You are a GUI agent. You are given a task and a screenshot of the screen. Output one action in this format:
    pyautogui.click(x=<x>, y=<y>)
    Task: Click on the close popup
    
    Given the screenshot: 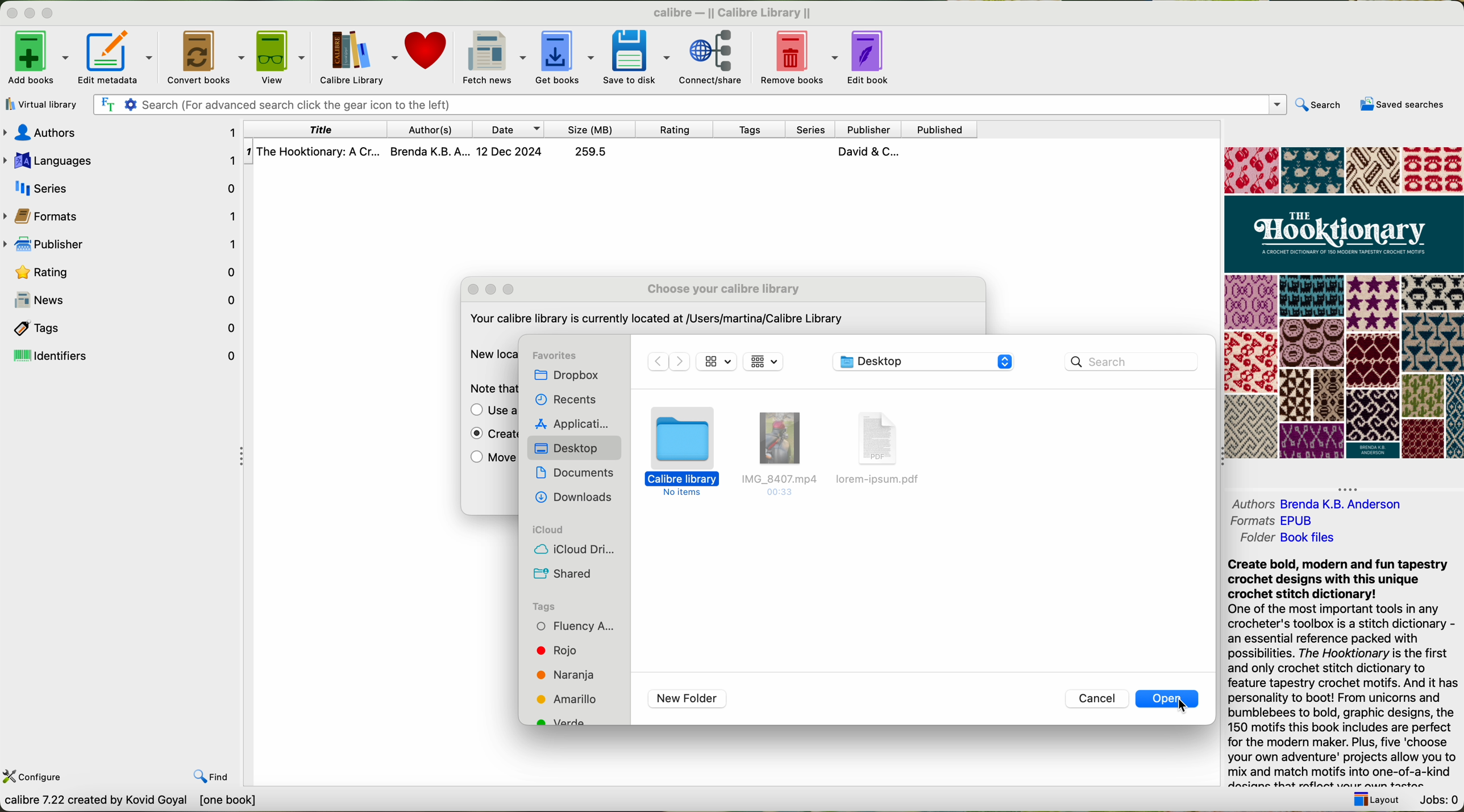 What is the action you would take?
    pyautogui.click(x=469, y=288)
    